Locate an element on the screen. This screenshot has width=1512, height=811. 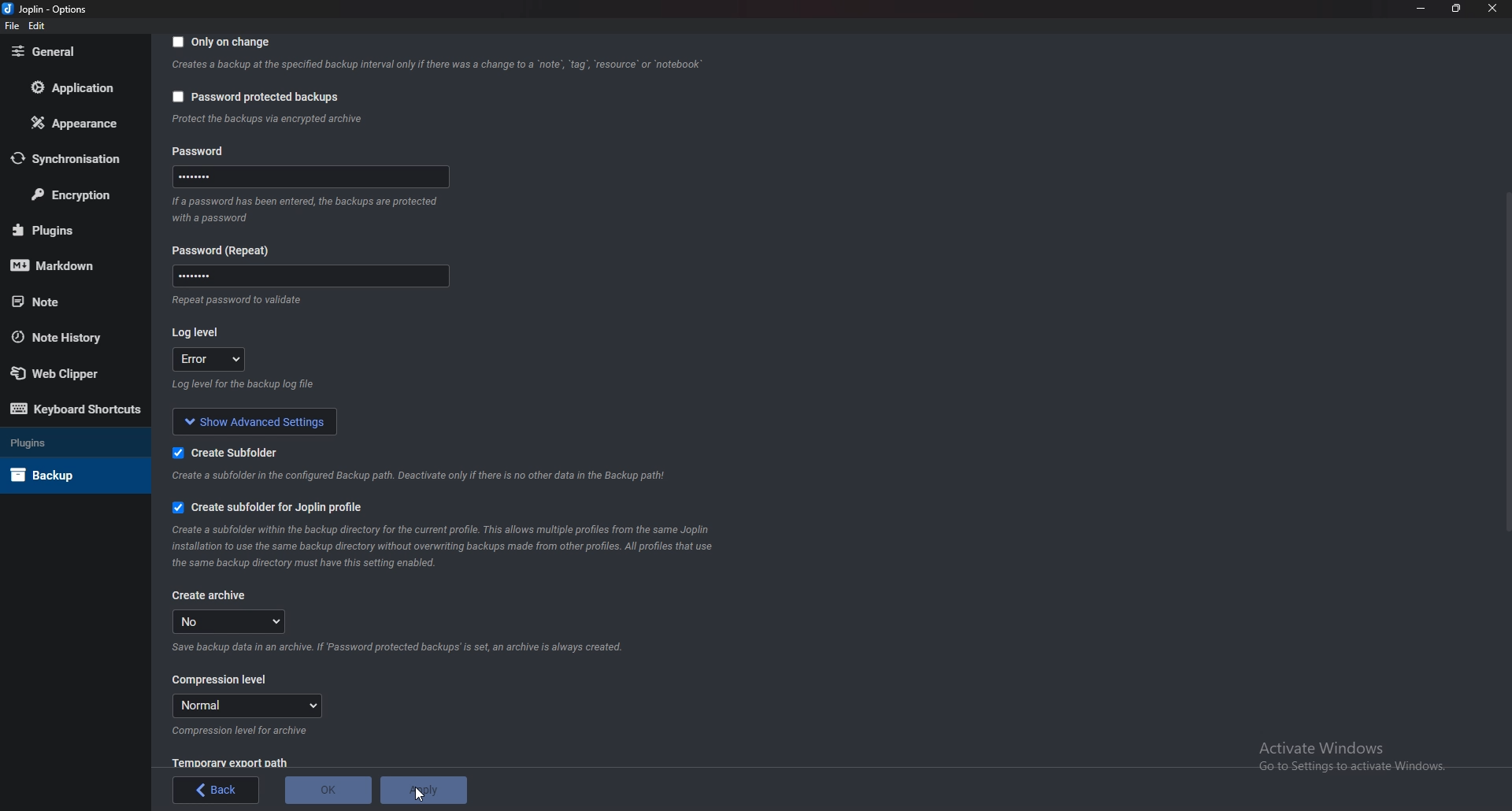
Keyboard shortcuts is located at coordinates (76, 408).